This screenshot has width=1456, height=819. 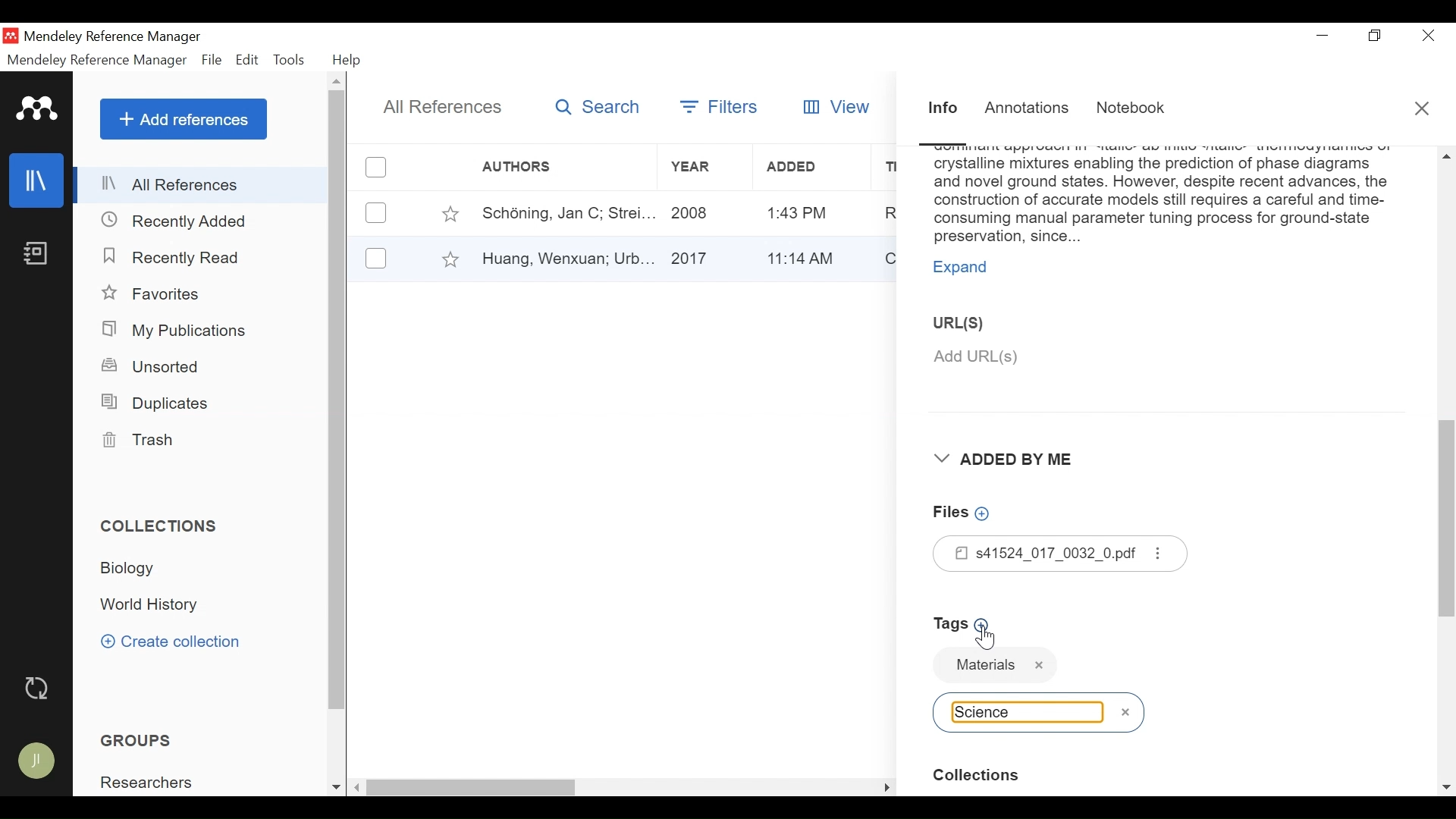 What do you see at coordinates (450, 259) in the screenshot?
I see `Toggle Favorites` at bounding box center [450, 259].